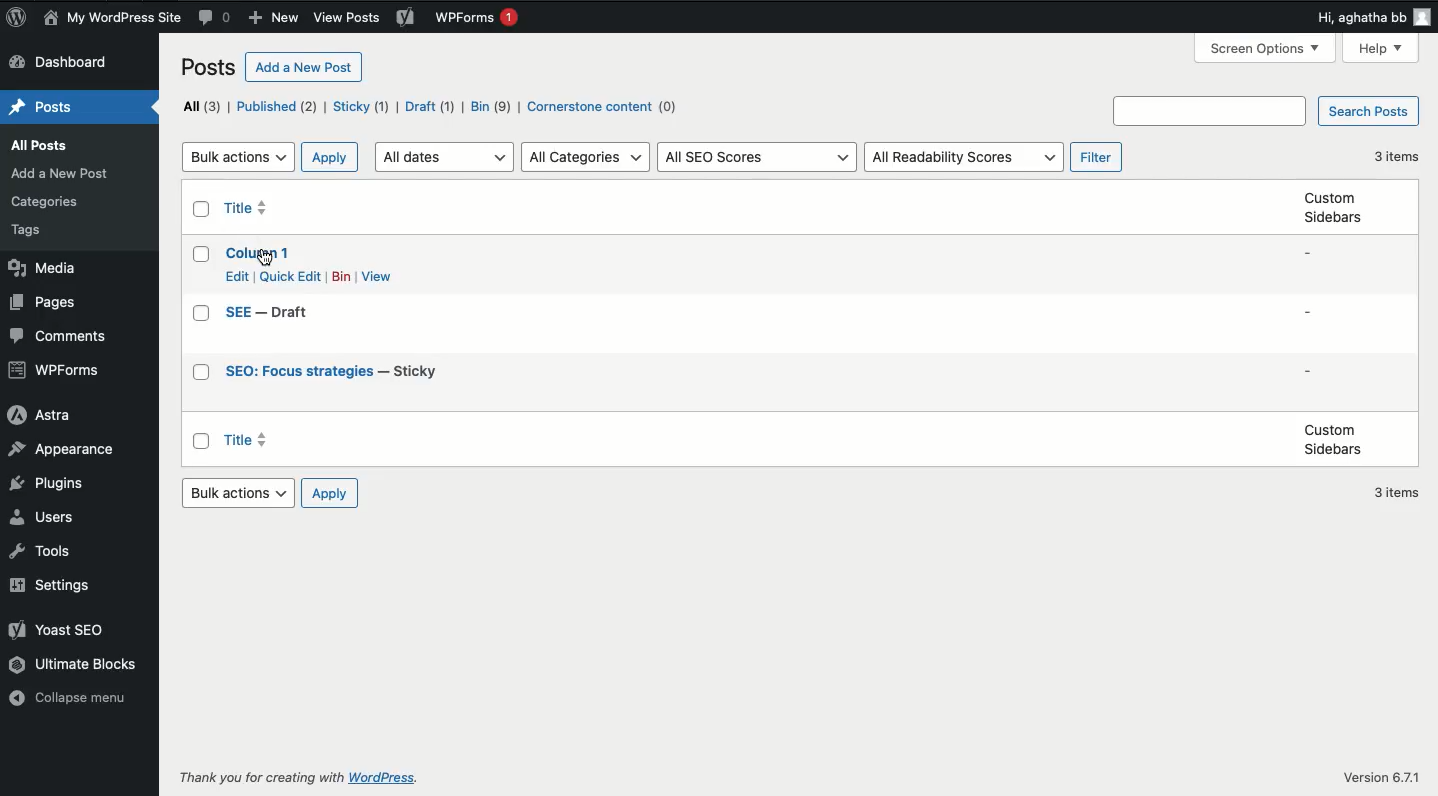  I want to click on Thank you for creating with WordPress, so click(295, 780).